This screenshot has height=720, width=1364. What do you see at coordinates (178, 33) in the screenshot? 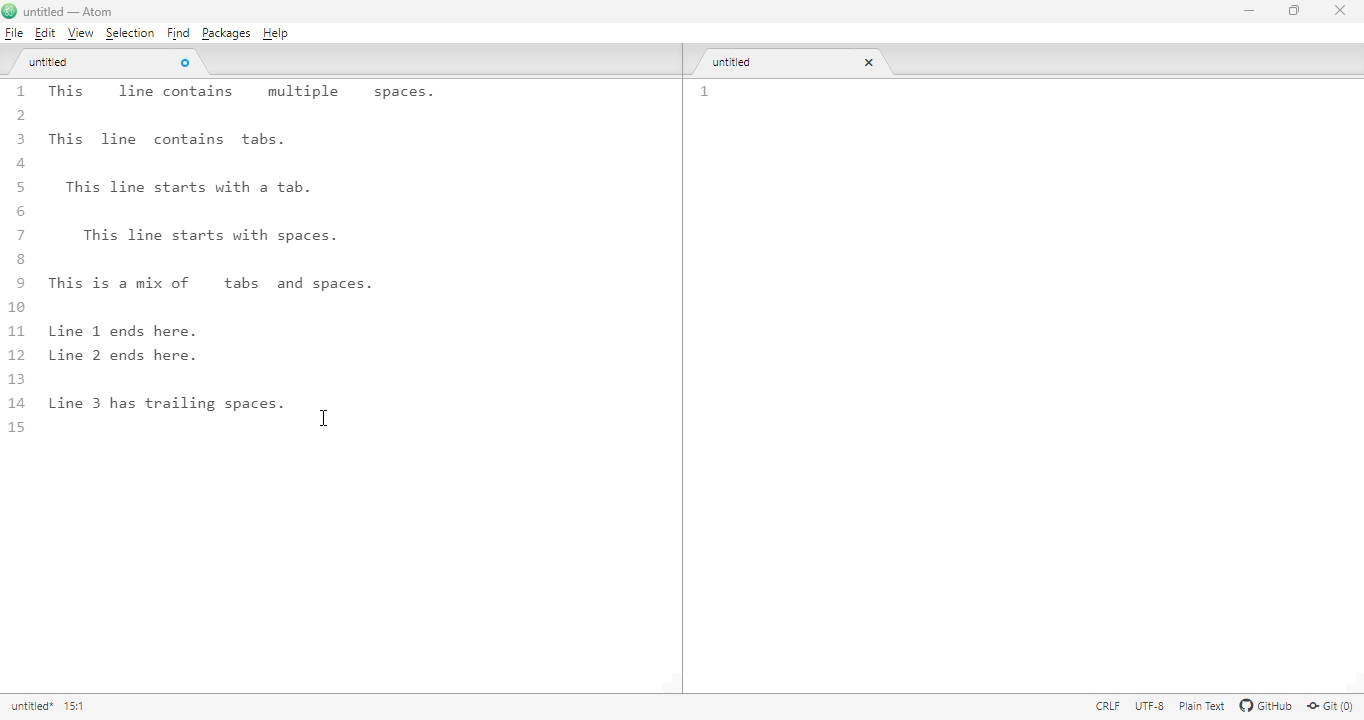
I see `find` at bounding box center [178, 33].